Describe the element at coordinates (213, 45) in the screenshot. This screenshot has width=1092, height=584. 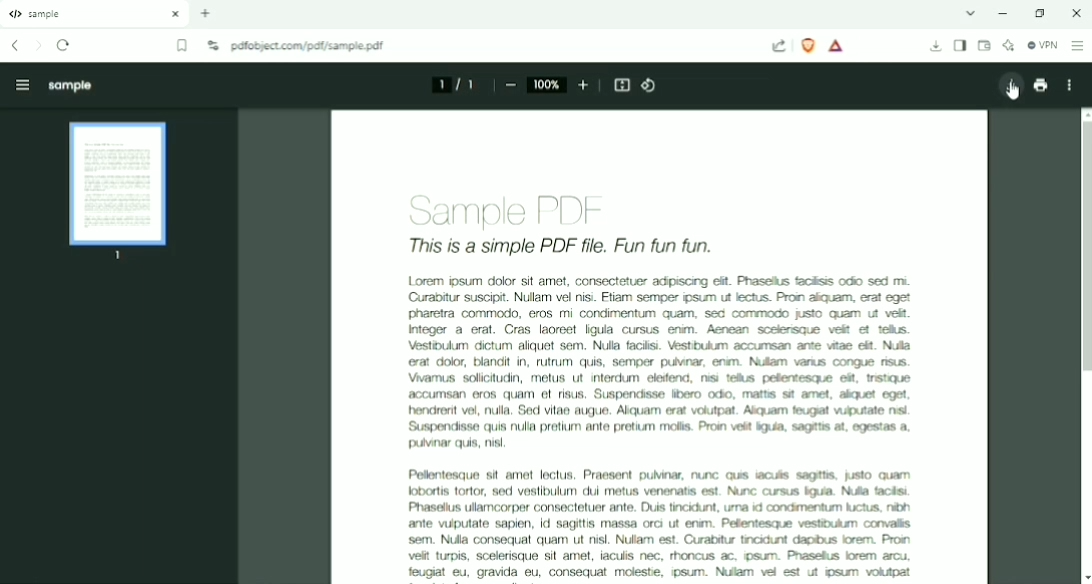
I see `View site information` at that location.